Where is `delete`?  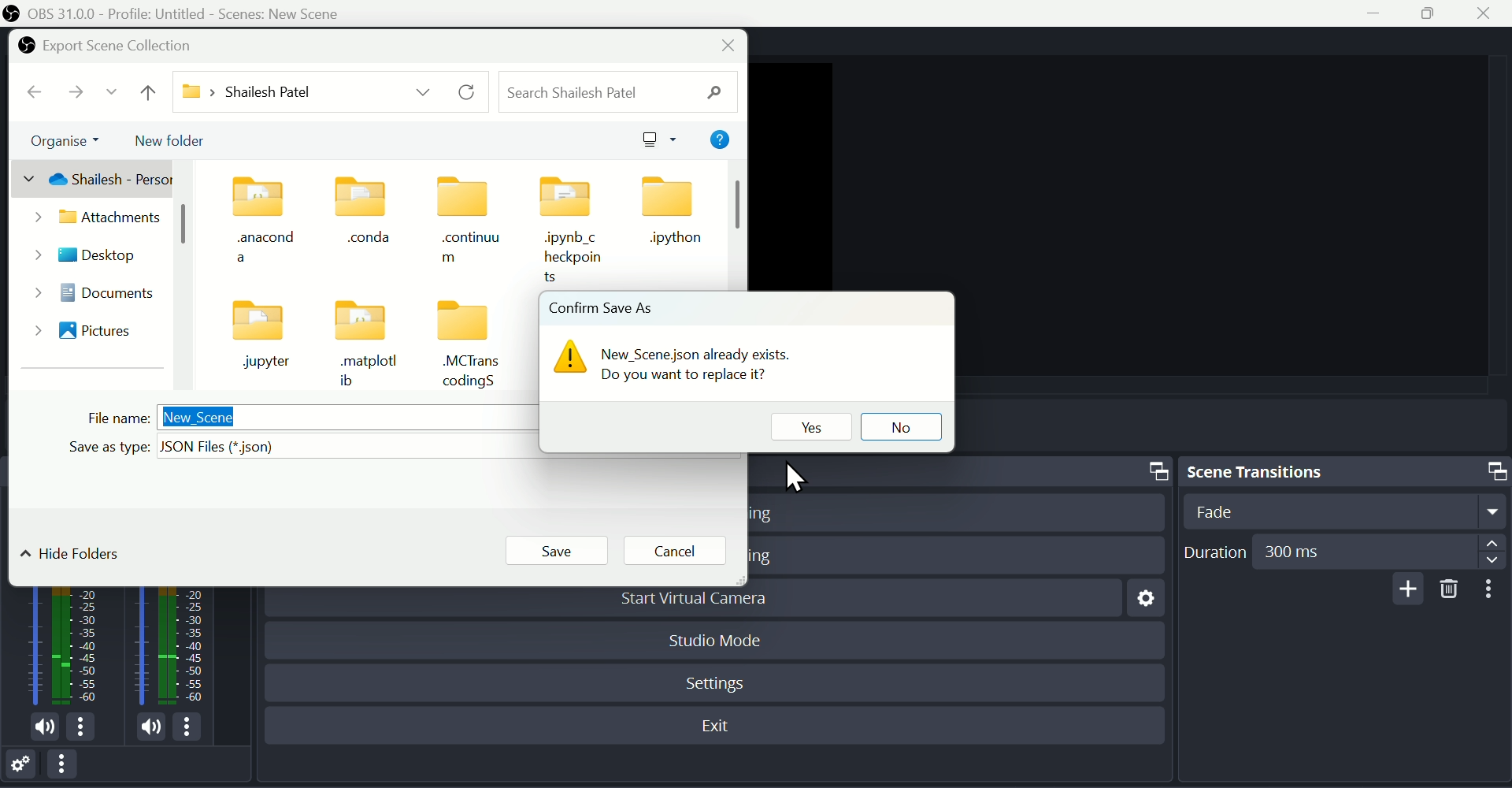
delete is located at coordinates (1450, 589).